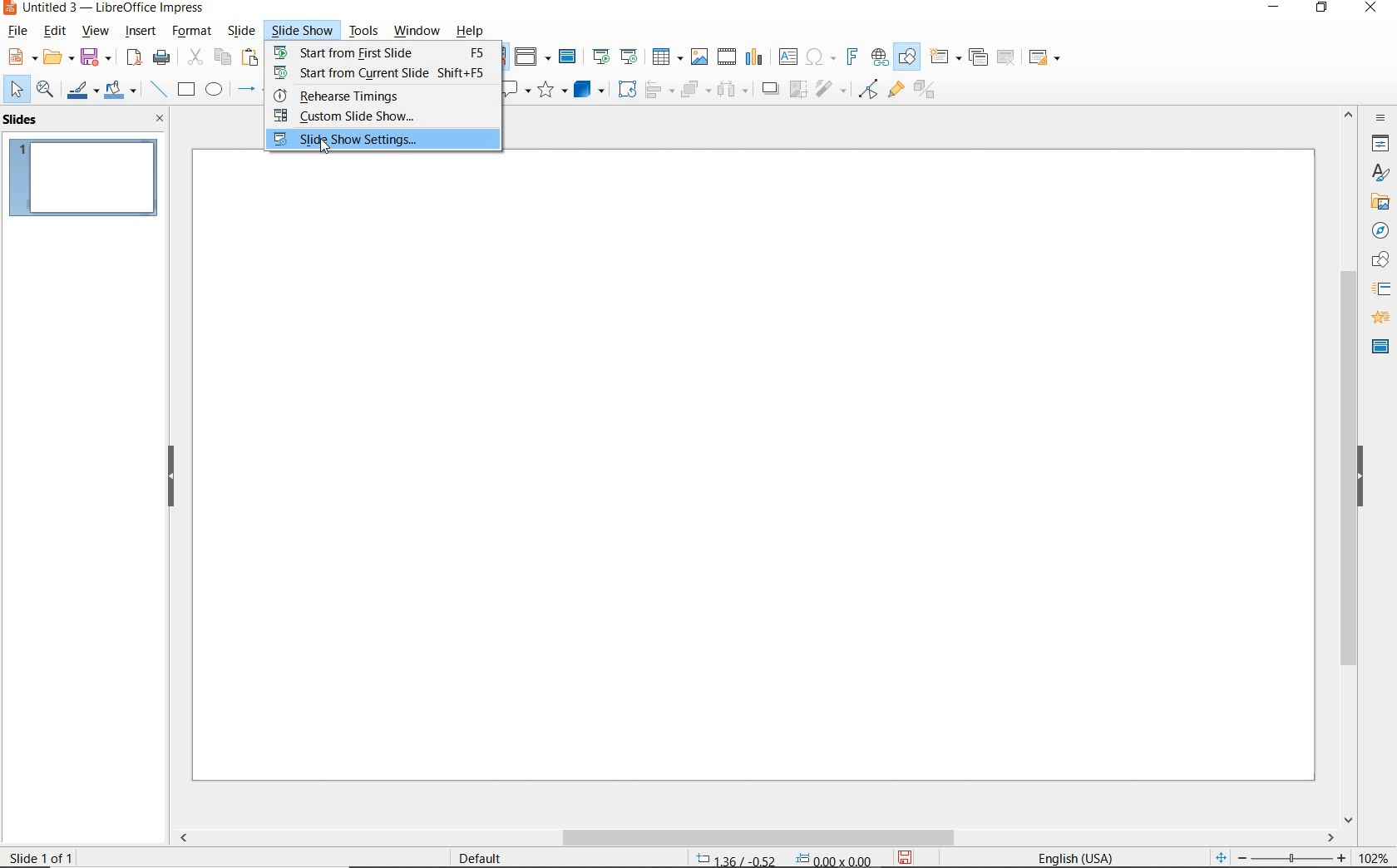 The width and height of the screenshot is (1397, 868). I want to click on REHEARSE TIMINGS, so click(386, 96).